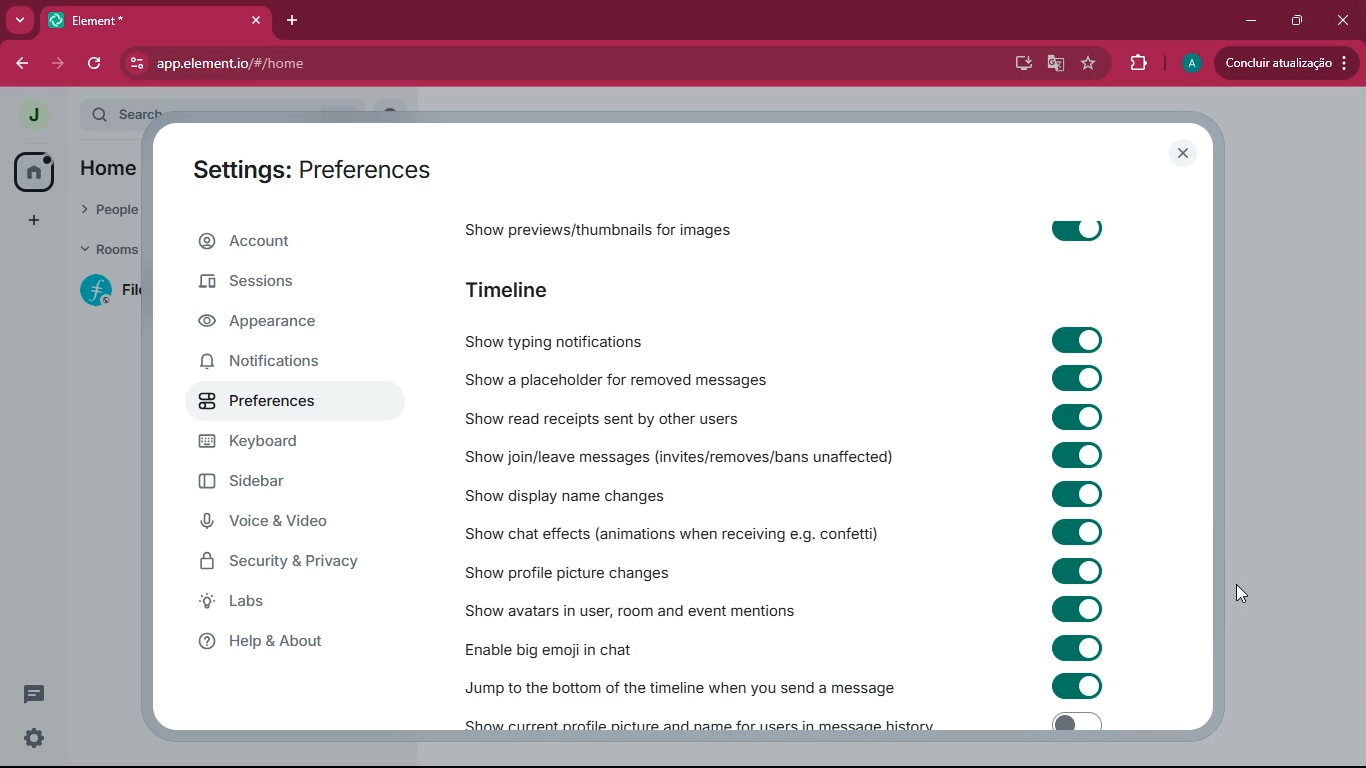 This screenshot has height=768, width=1366. I want to click on back, so click(17, 63).